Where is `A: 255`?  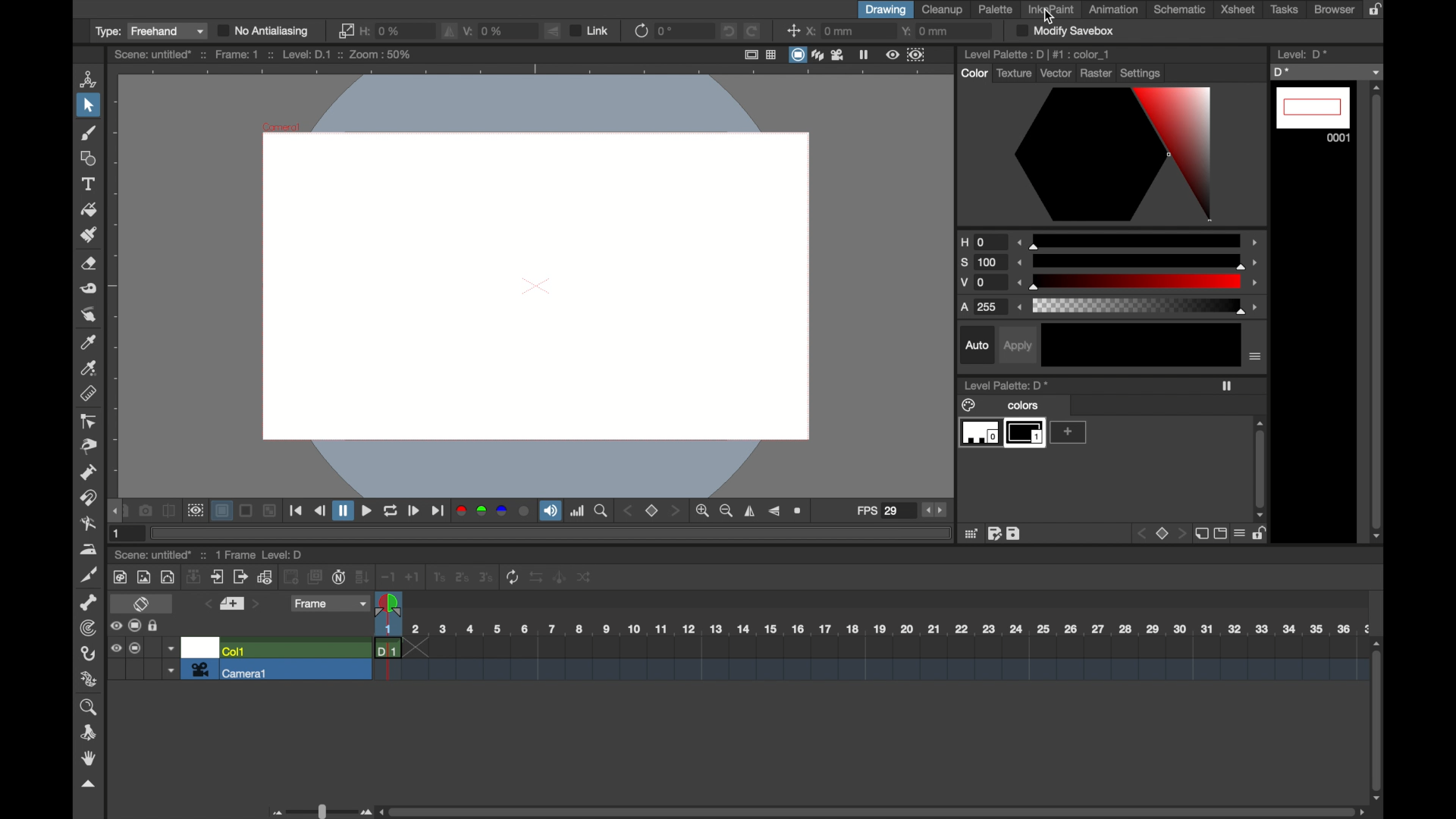
A: 255 is located at coordinates (982, 308).